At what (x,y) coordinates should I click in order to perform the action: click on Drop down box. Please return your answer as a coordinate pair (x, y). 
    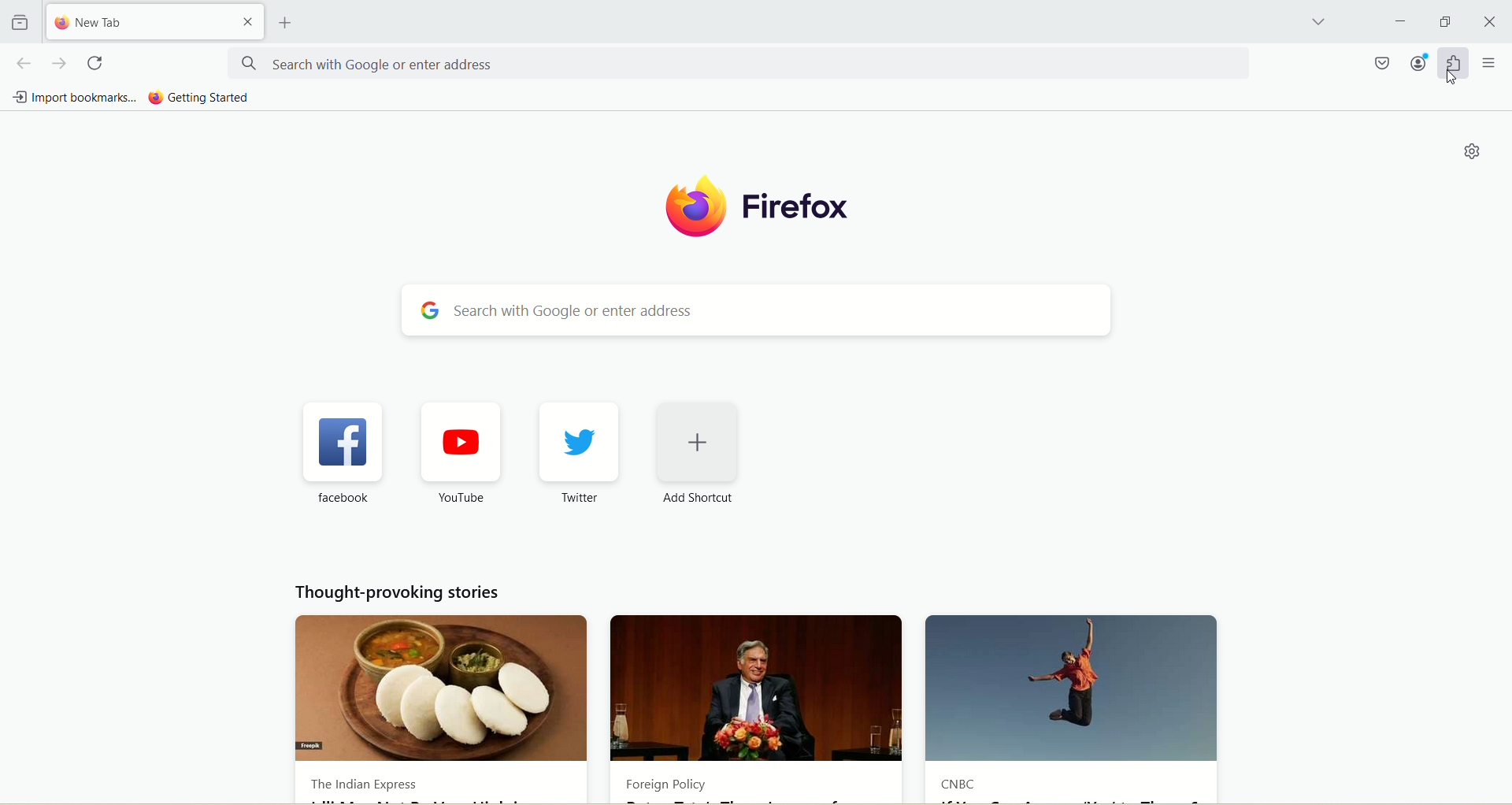
    Looking at the image, I should click on (1317, 24).